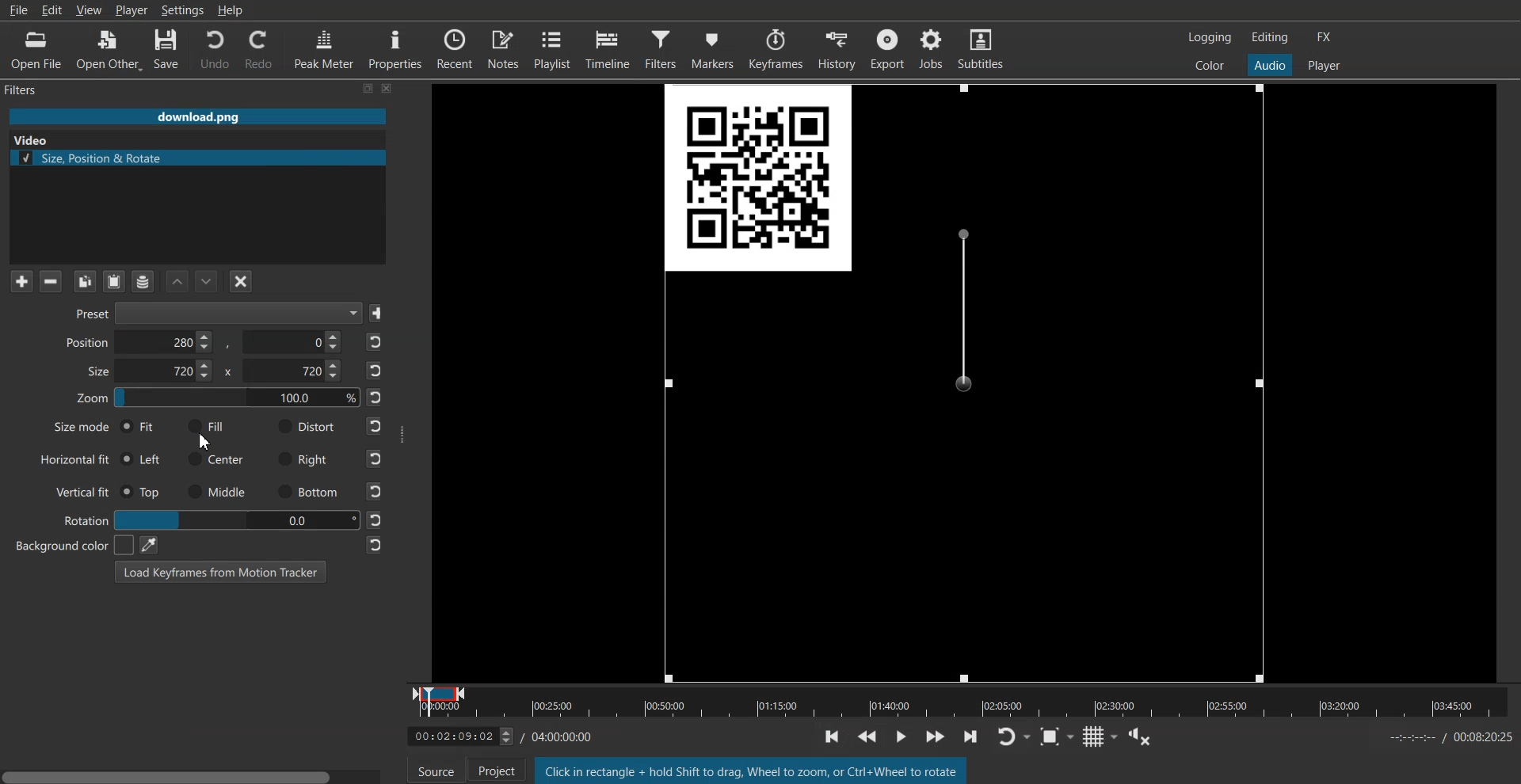  What do you see at coordinates (938, 739) in the screenshot?
I see `Show the volume control` at bounding box center [938, 739].